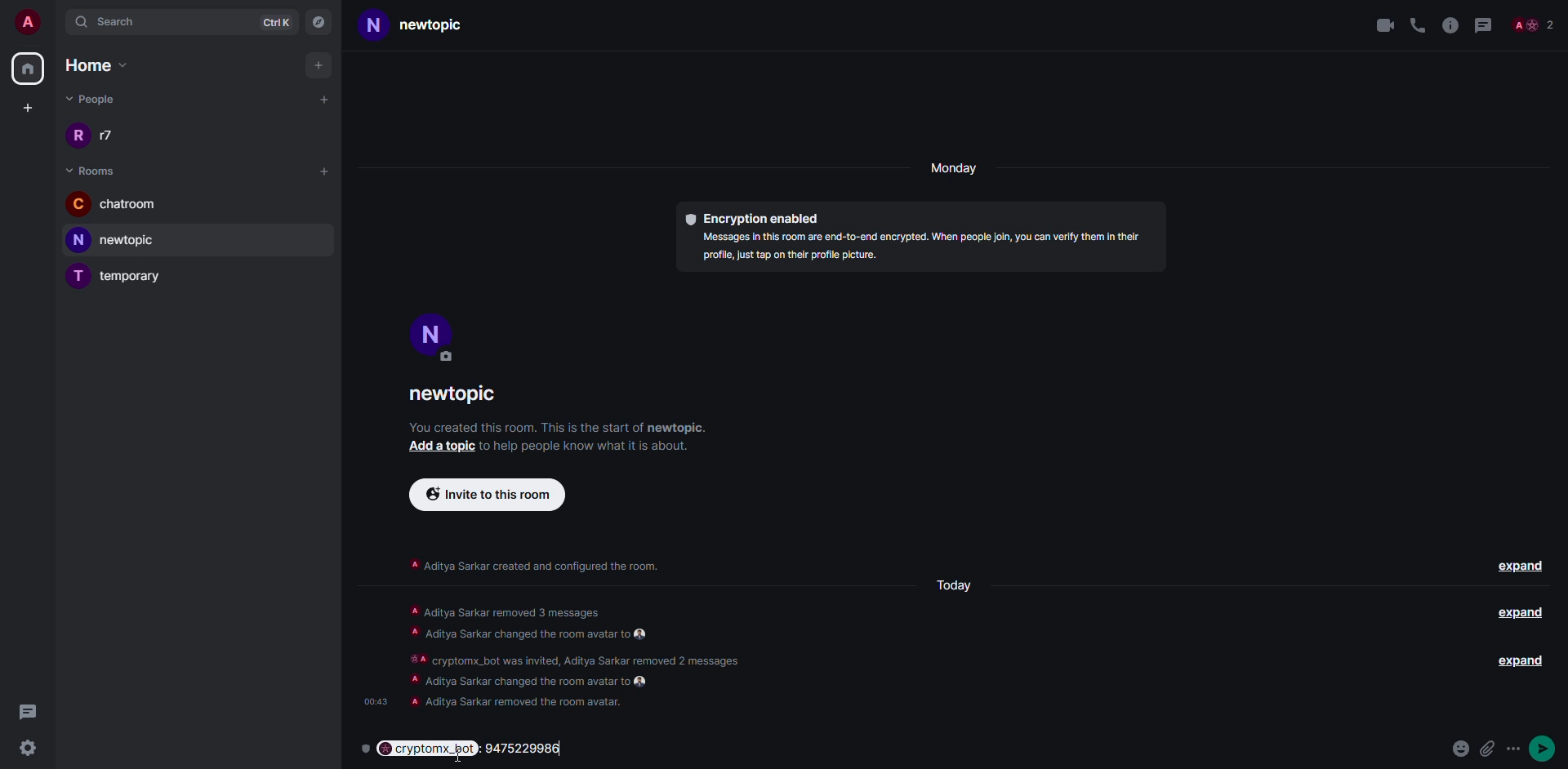  Describe the element at coordinates (434, 26) in the screenshot. I see `newtopic` at that location.